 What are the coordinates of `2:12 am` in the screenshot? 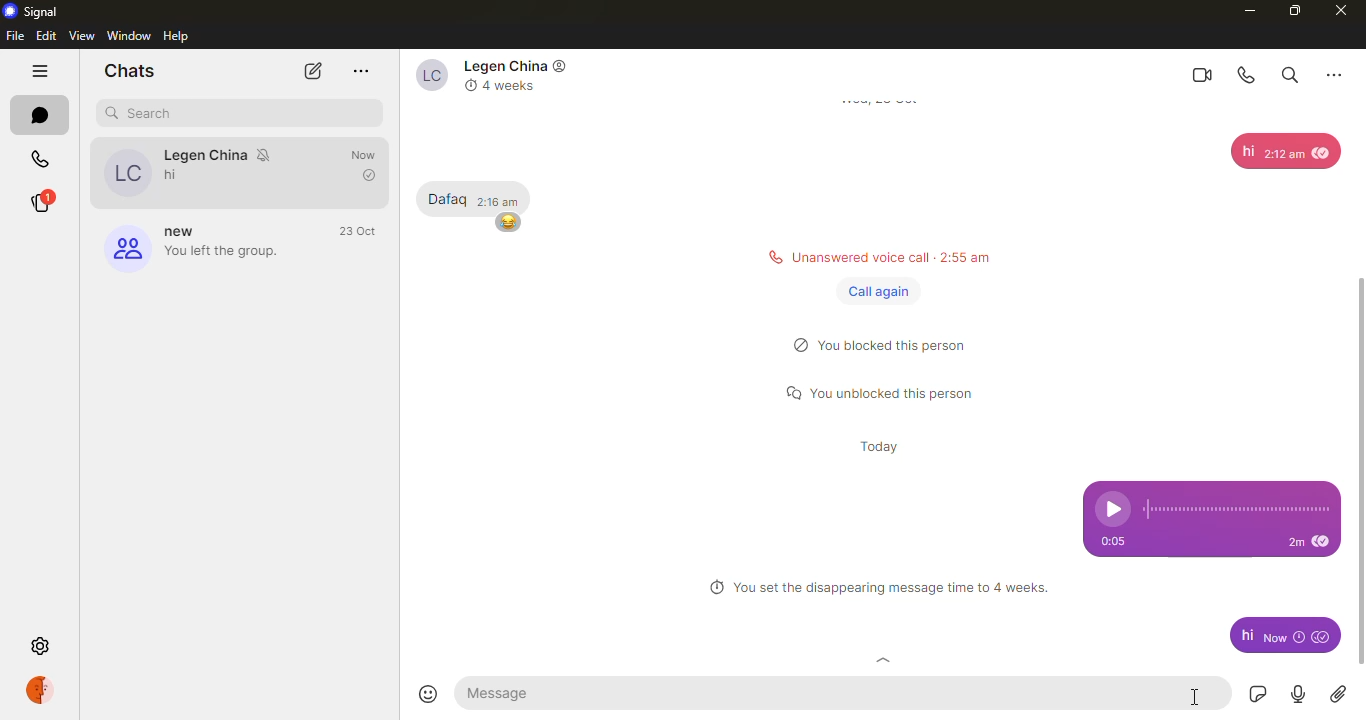 It's located at (1283, 153).